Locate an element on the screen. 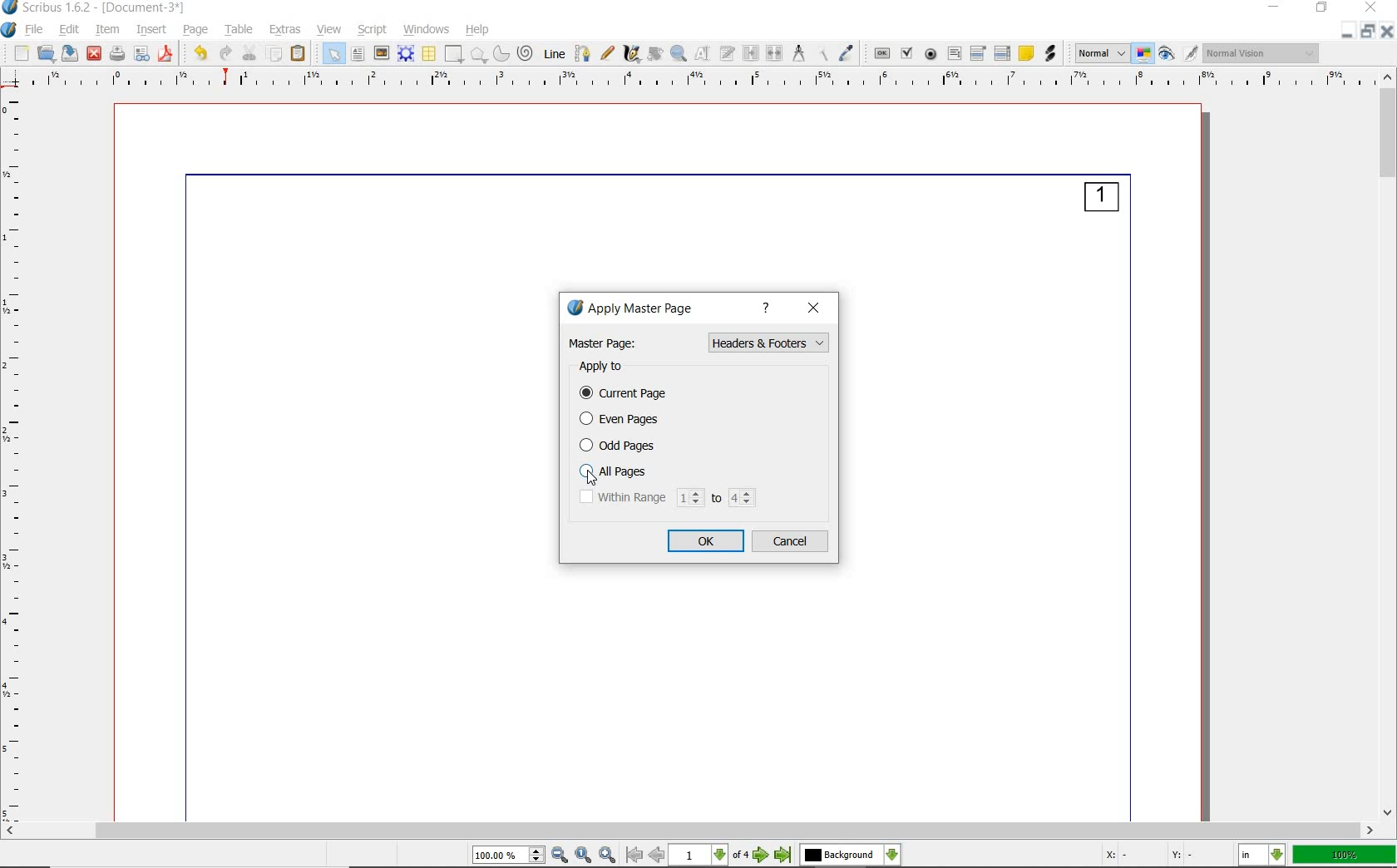  Master page is located at coordinates (605, 343).